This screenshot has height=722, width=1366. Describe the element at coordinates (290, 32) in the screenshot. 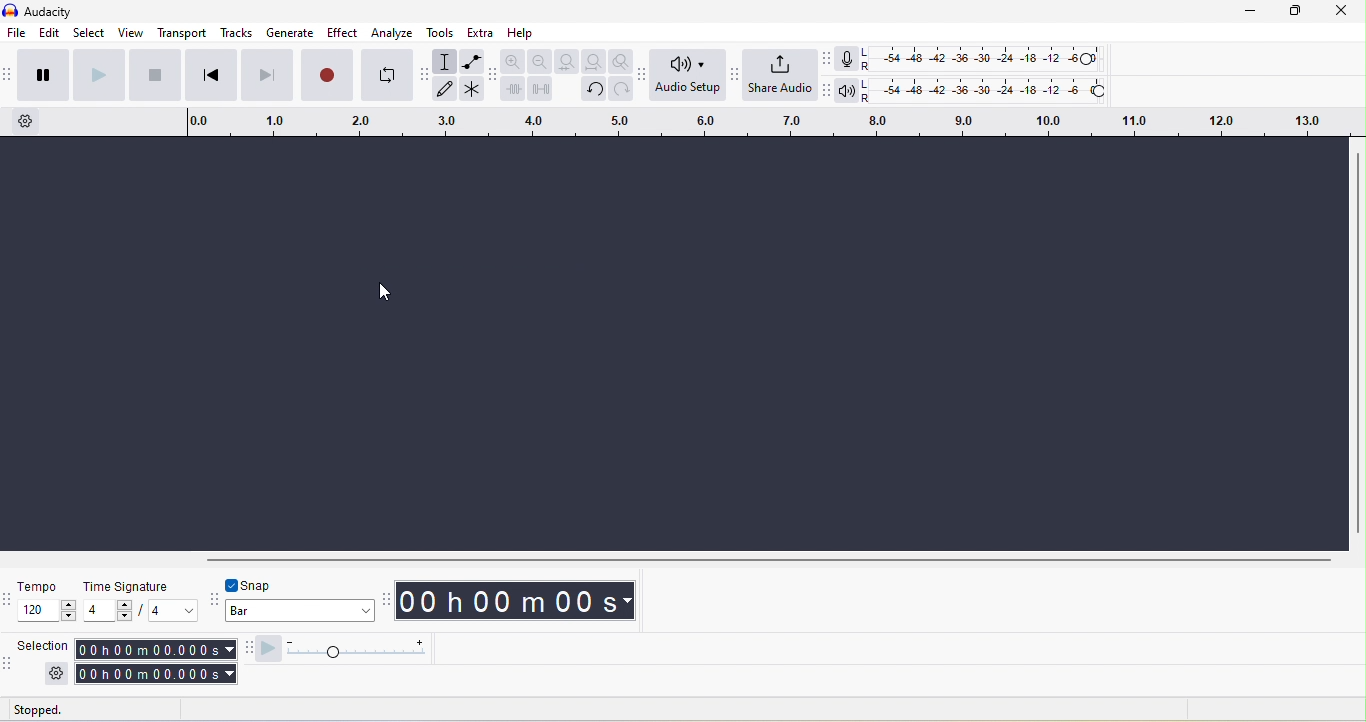

I see `generate` at that location.